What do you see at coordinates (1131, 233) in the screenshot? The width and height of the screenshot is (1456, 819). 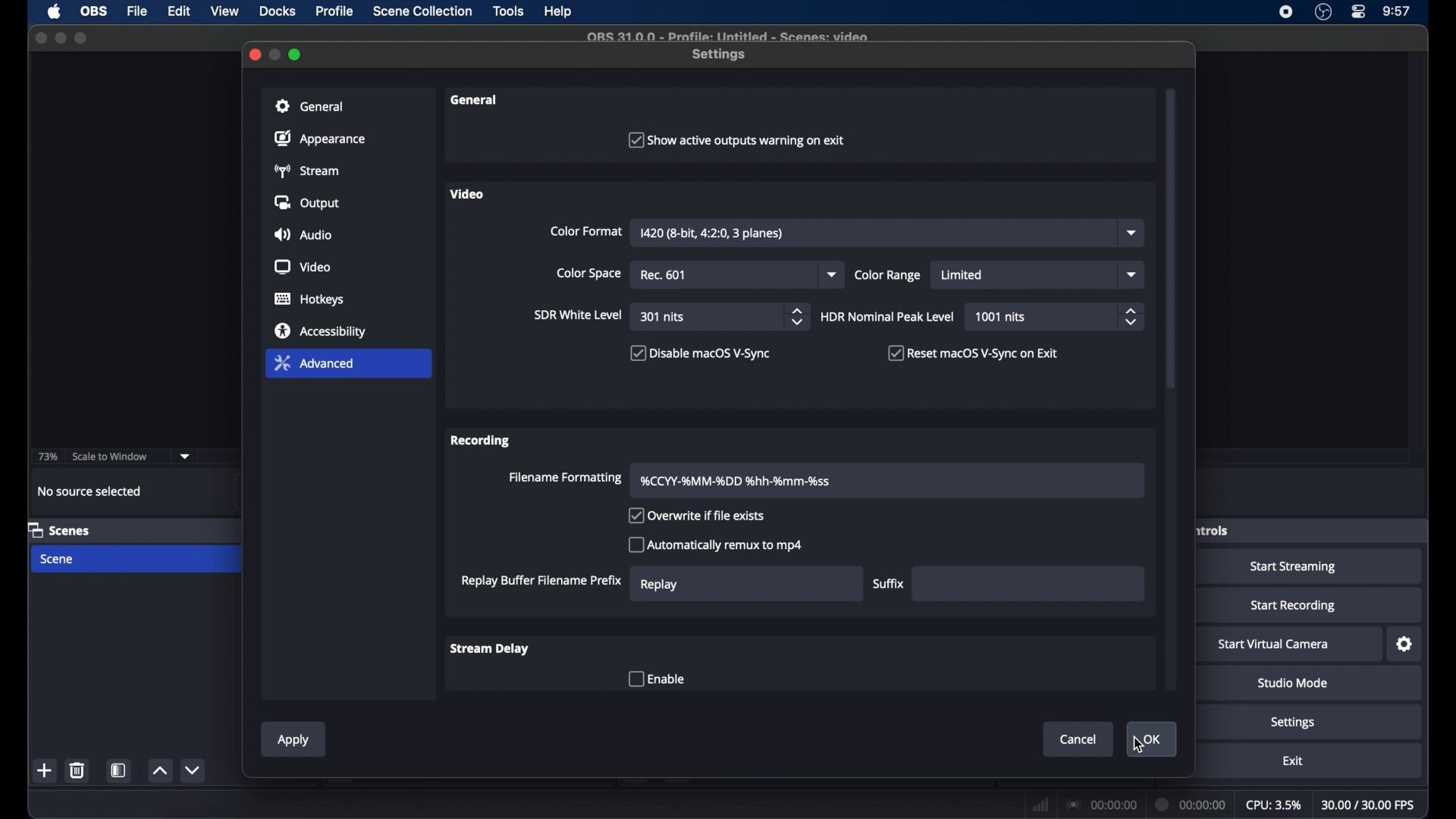 I see `dropdown` at bounding box center [1131, 233].